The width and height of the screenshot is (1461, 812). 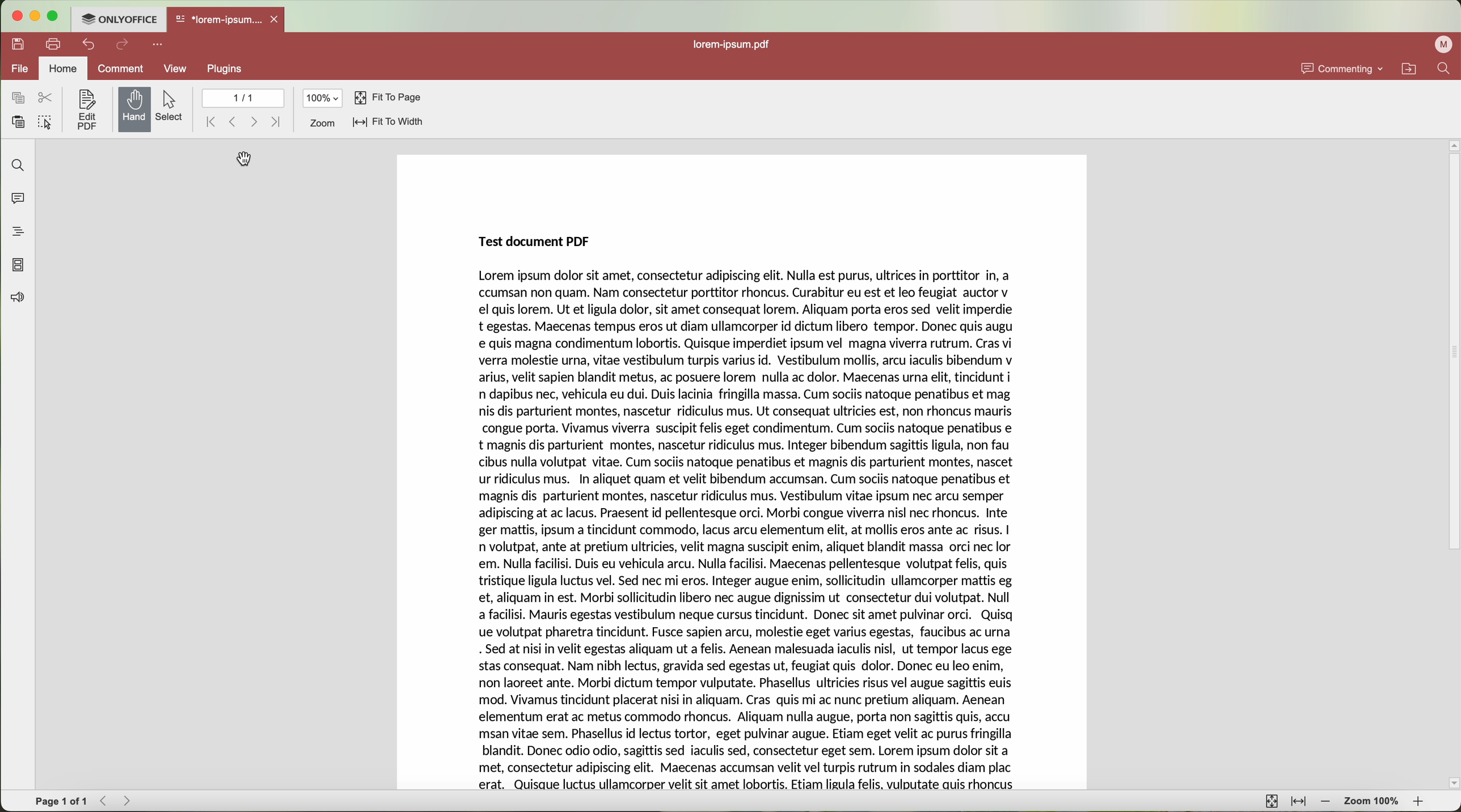 I want to click on open file location, so click(x=1409, y=69).